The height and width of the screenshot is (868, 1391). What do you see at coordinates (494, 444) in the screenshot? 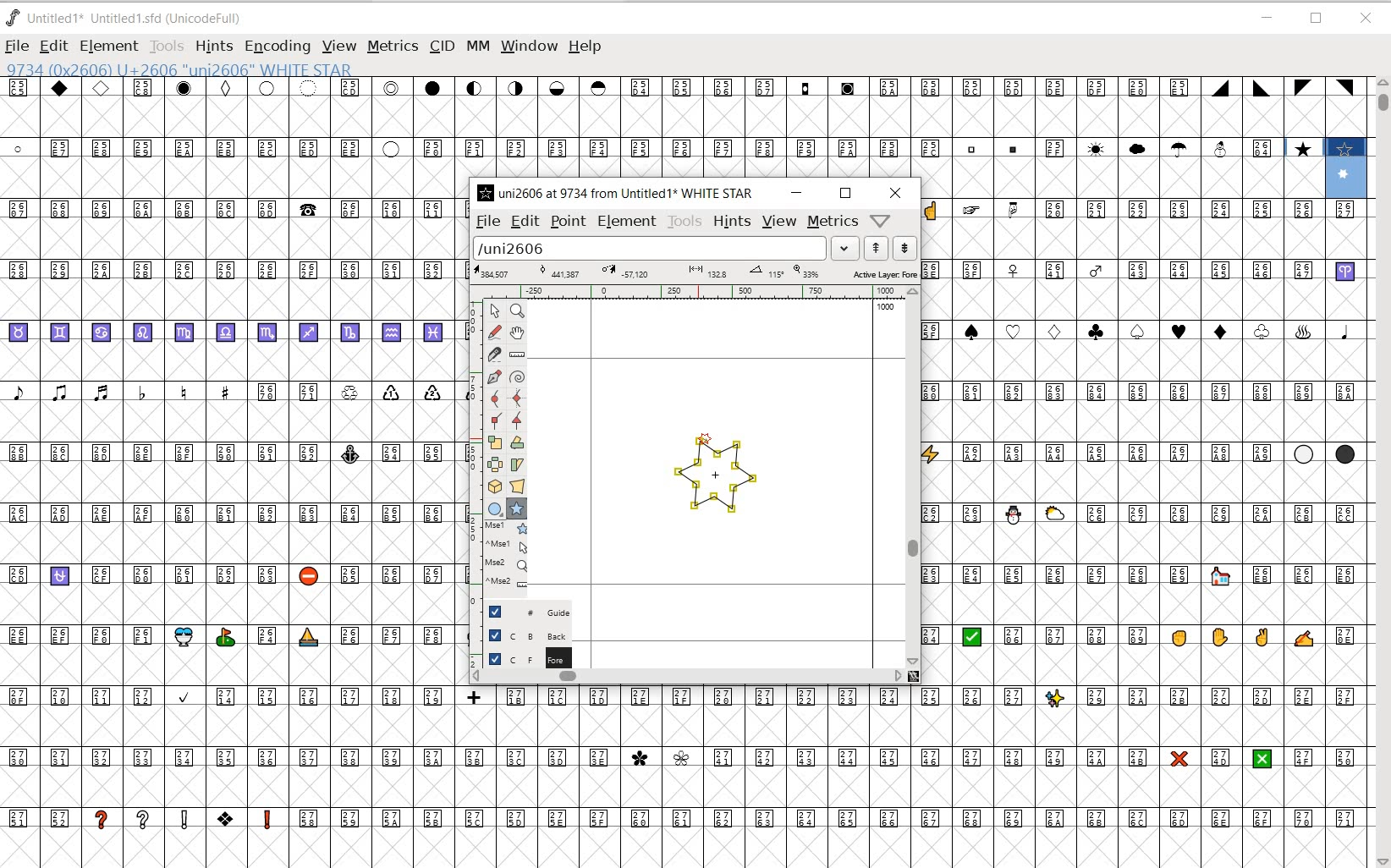
I see `SELECT THE SELECTION` at bounding box center [494, 444].